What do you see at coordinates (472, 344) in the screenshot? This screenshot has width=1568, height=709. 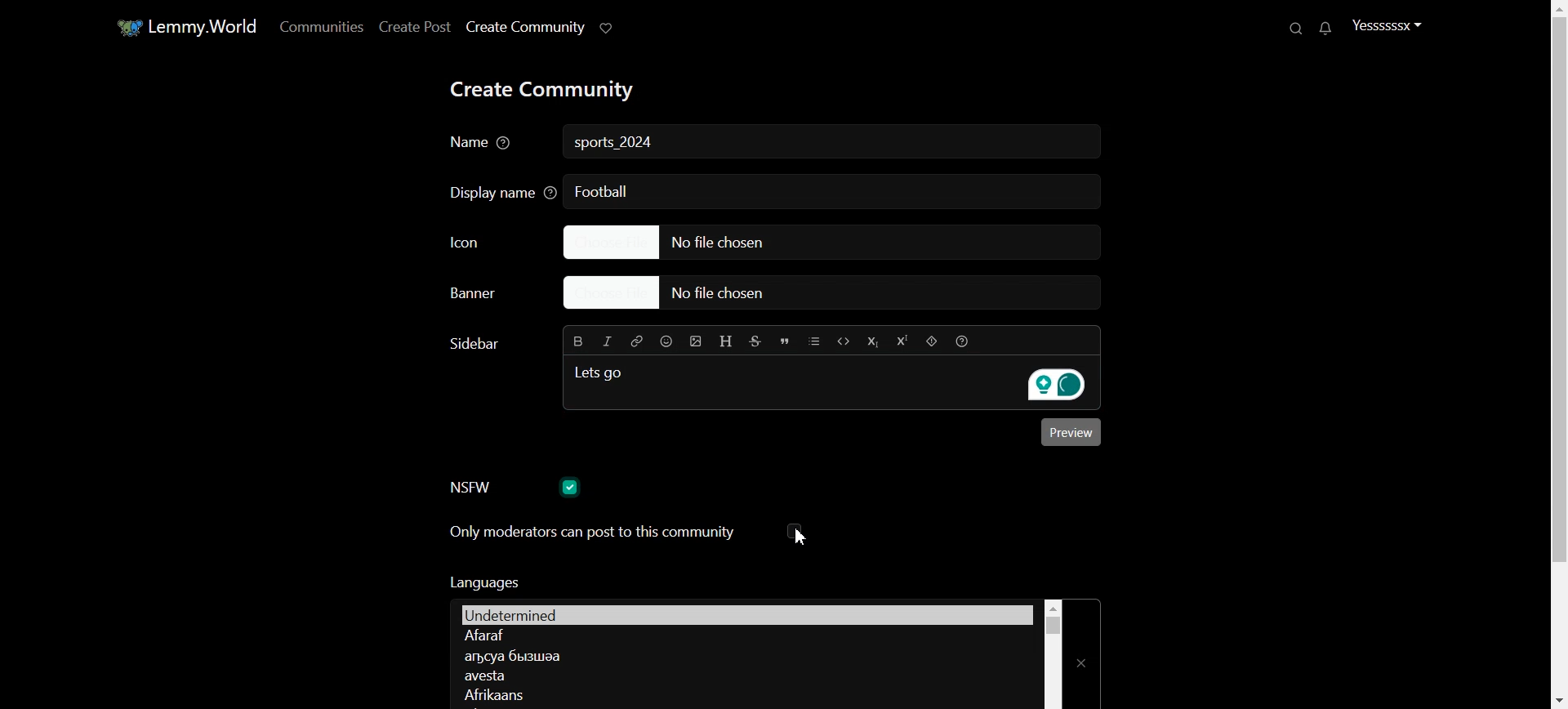 I see `Text` at bounding box center [472, 344].